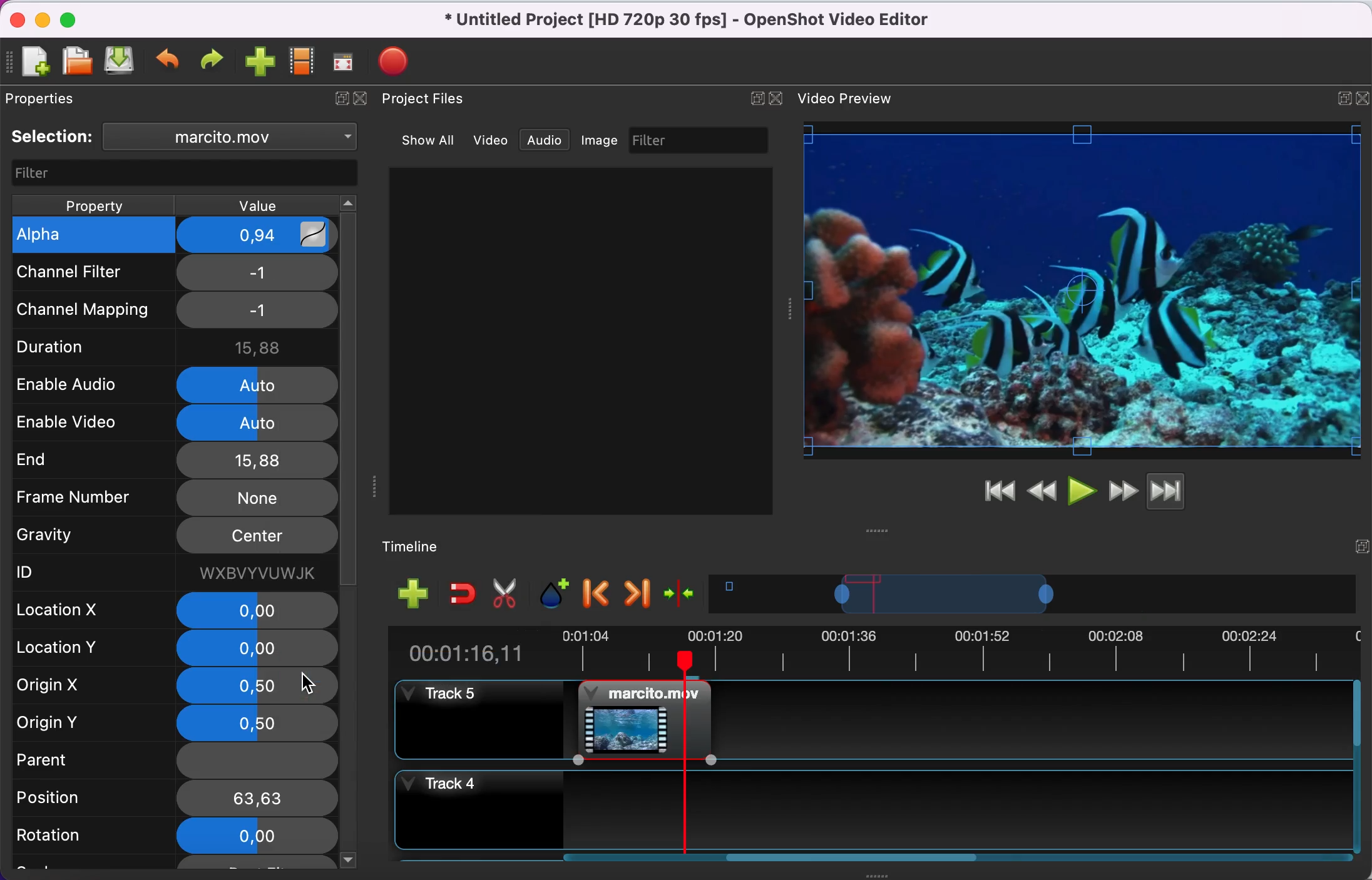 Image resolution: width=1372 pixels, height=880 pixels. What do you see at coordinates (348, 401) in the screenshot?
I see `vertical scrollbar` at bounding box center [348, 401].